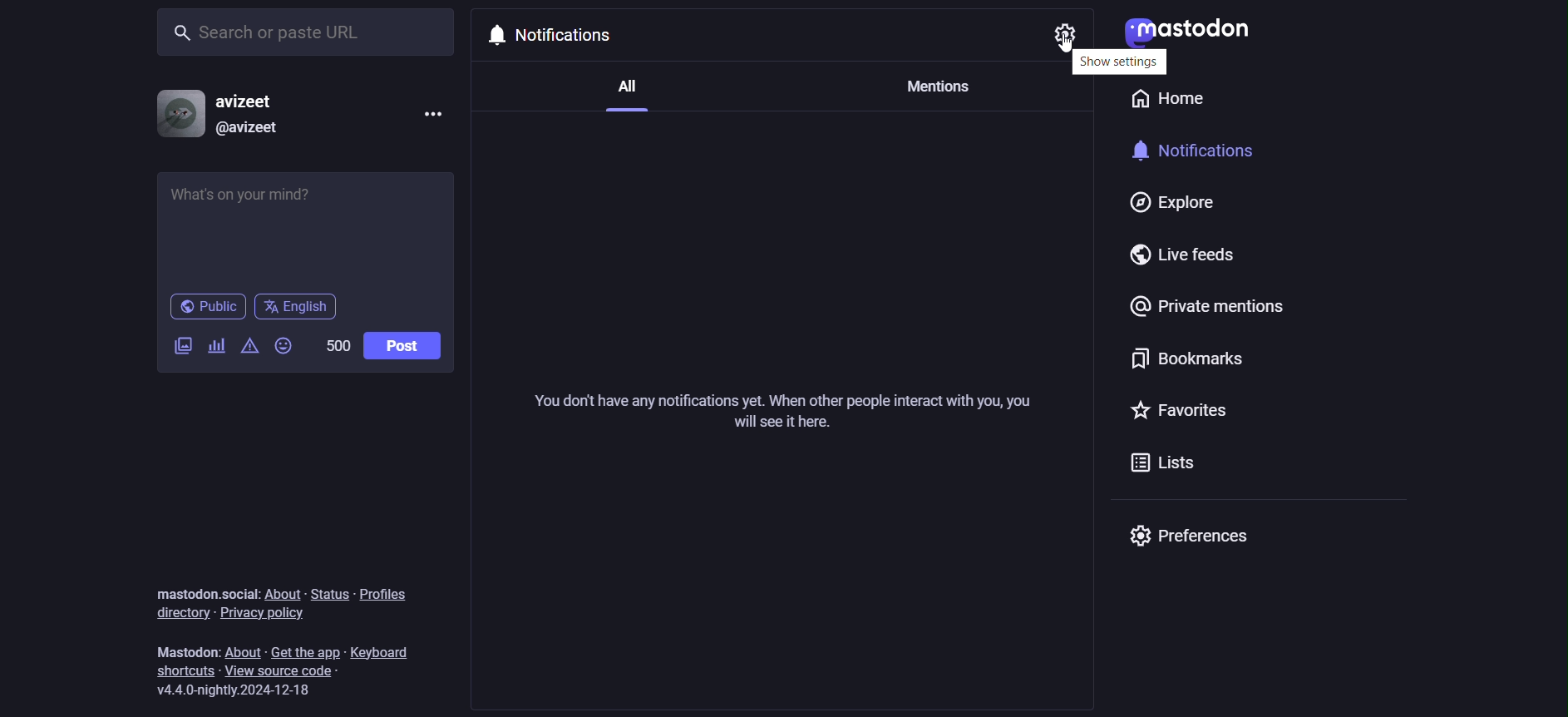 The height and width of the screenshot is (717, 1568). What do you see at coordinates (1159, 462) in the screenshot?
I see `lists` at bounding box center [1159, 462].